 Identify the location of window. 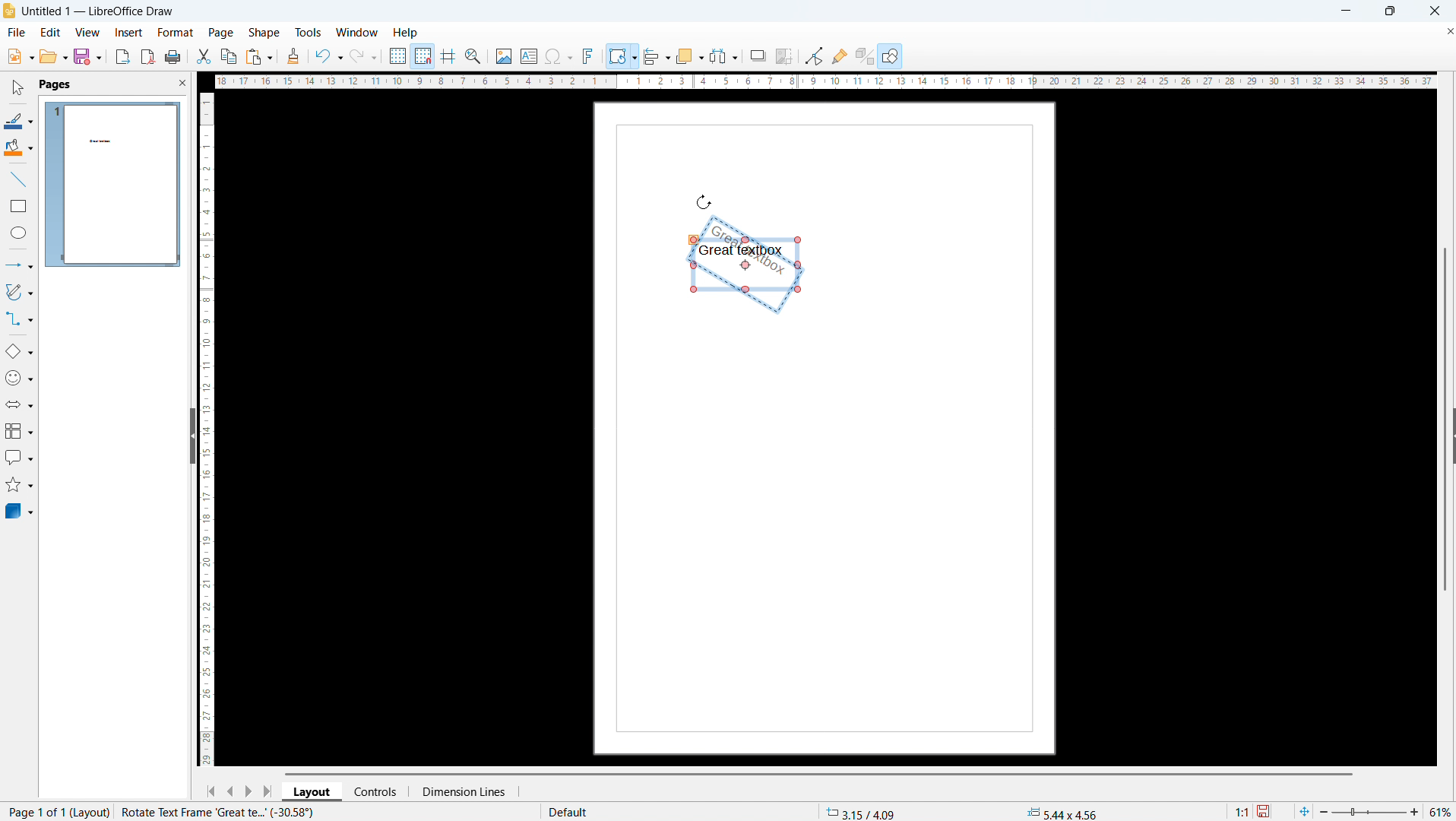
(357, 33).